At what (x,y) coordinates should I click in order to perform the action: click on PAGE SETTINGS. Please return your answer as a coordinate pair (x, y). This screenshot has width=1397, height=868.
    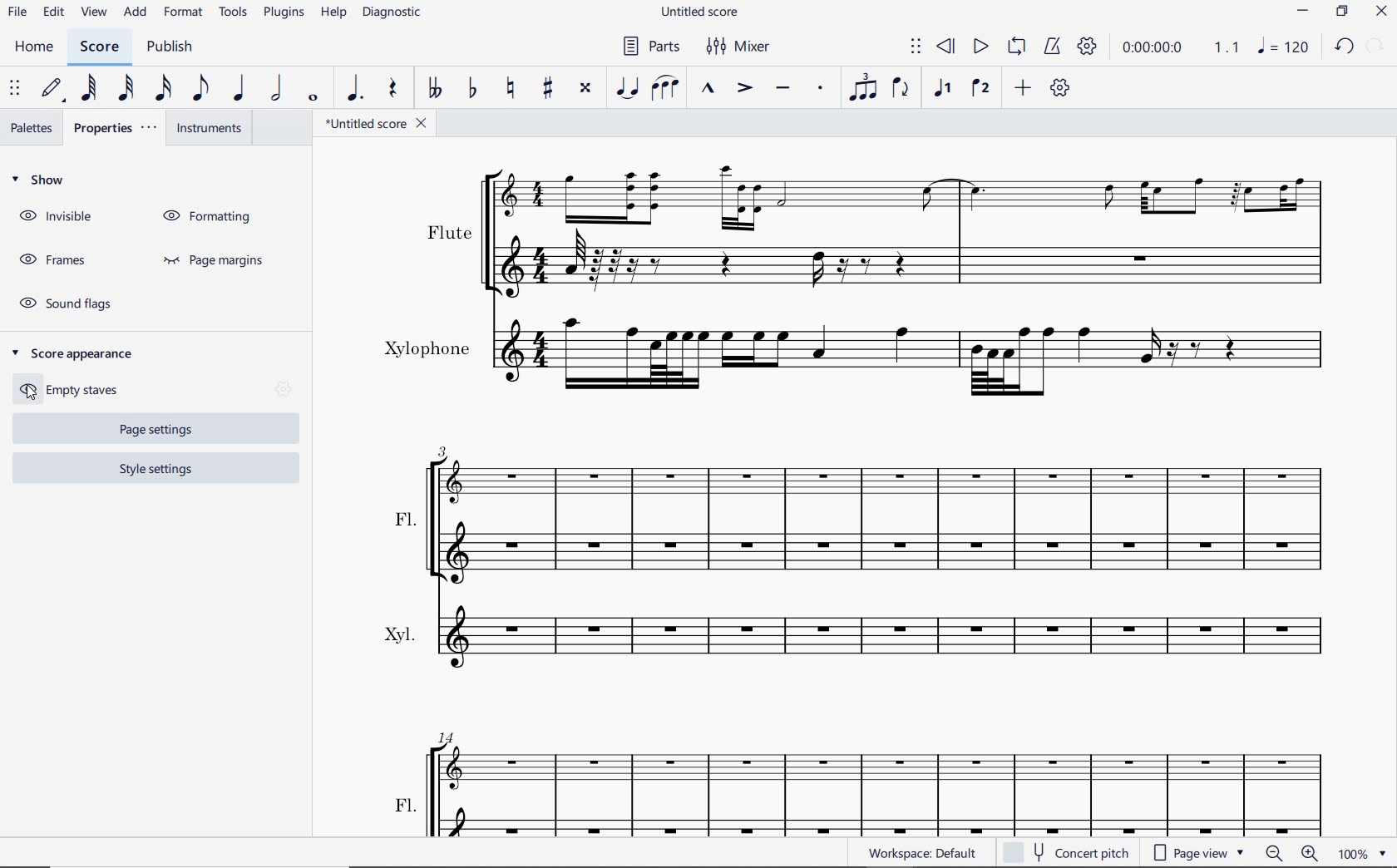
    Looking at the image, I should click on (148, 431).